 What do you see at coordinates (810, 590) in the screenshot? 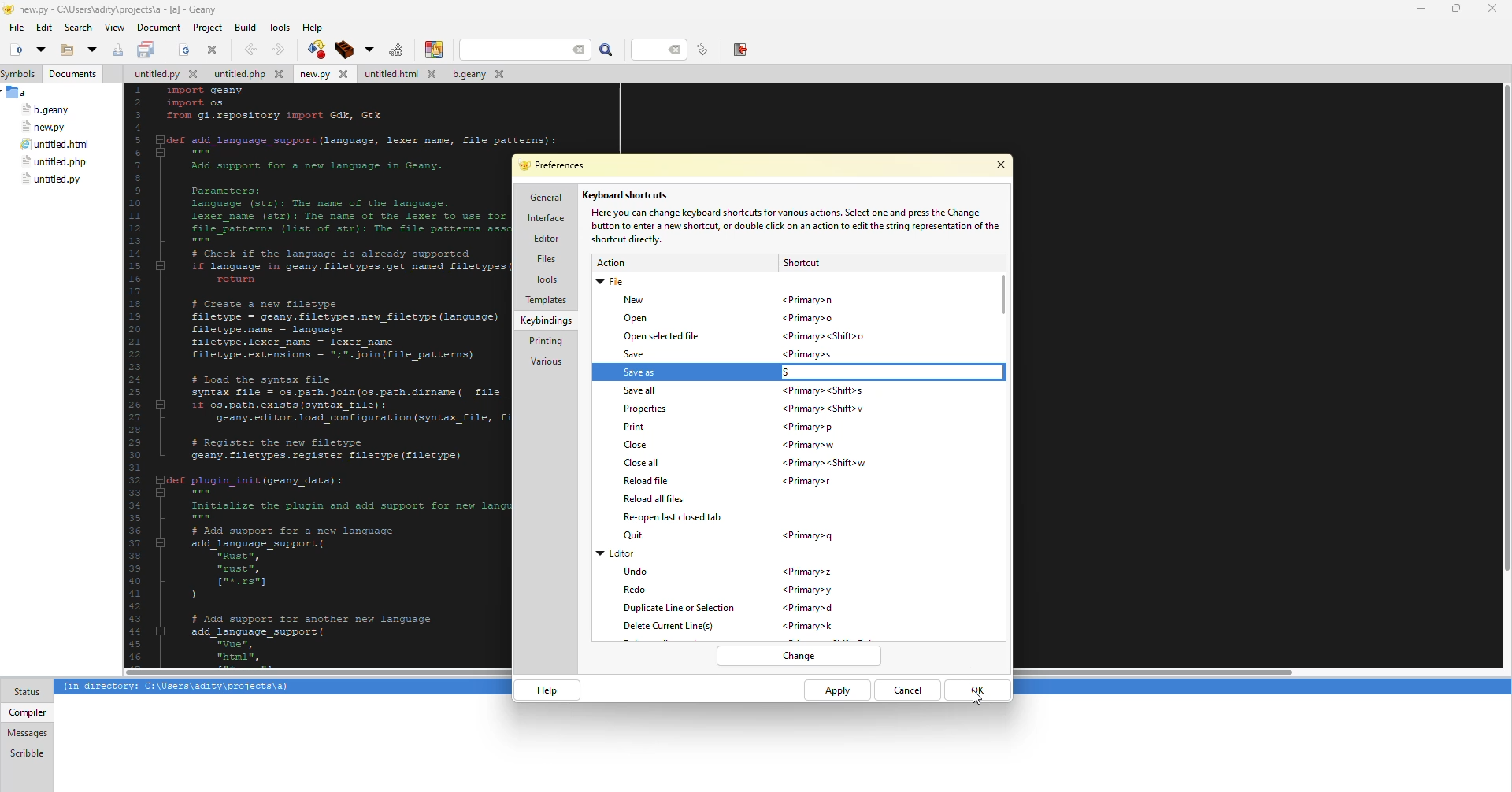
I see `shortcut` at bounding box center [810, 590].